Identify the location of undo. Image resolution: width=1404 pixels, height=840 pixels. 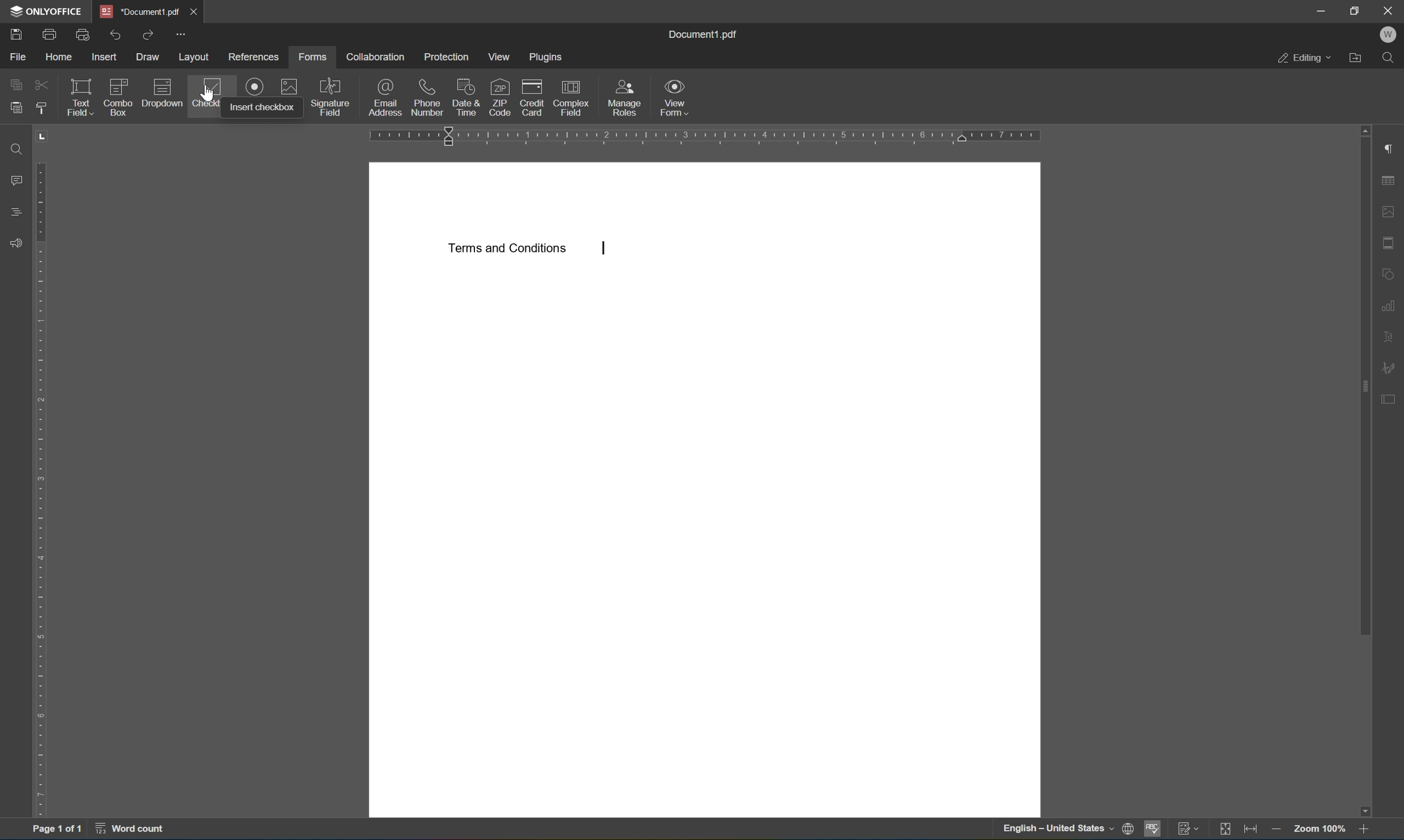
(119, 36).